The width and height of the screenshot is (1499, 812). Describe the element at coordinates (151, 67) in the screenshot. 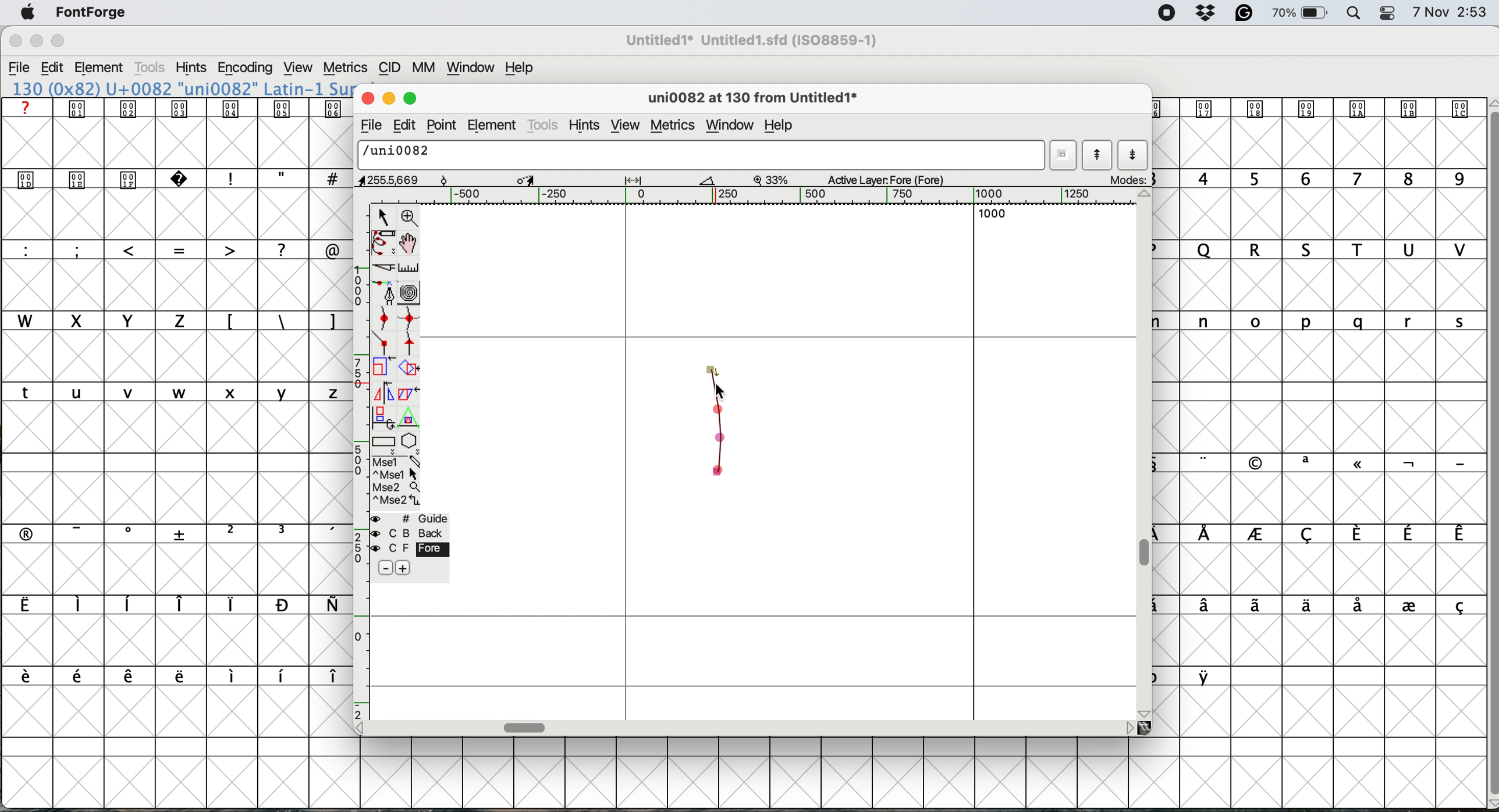

I see `tools` at that location.